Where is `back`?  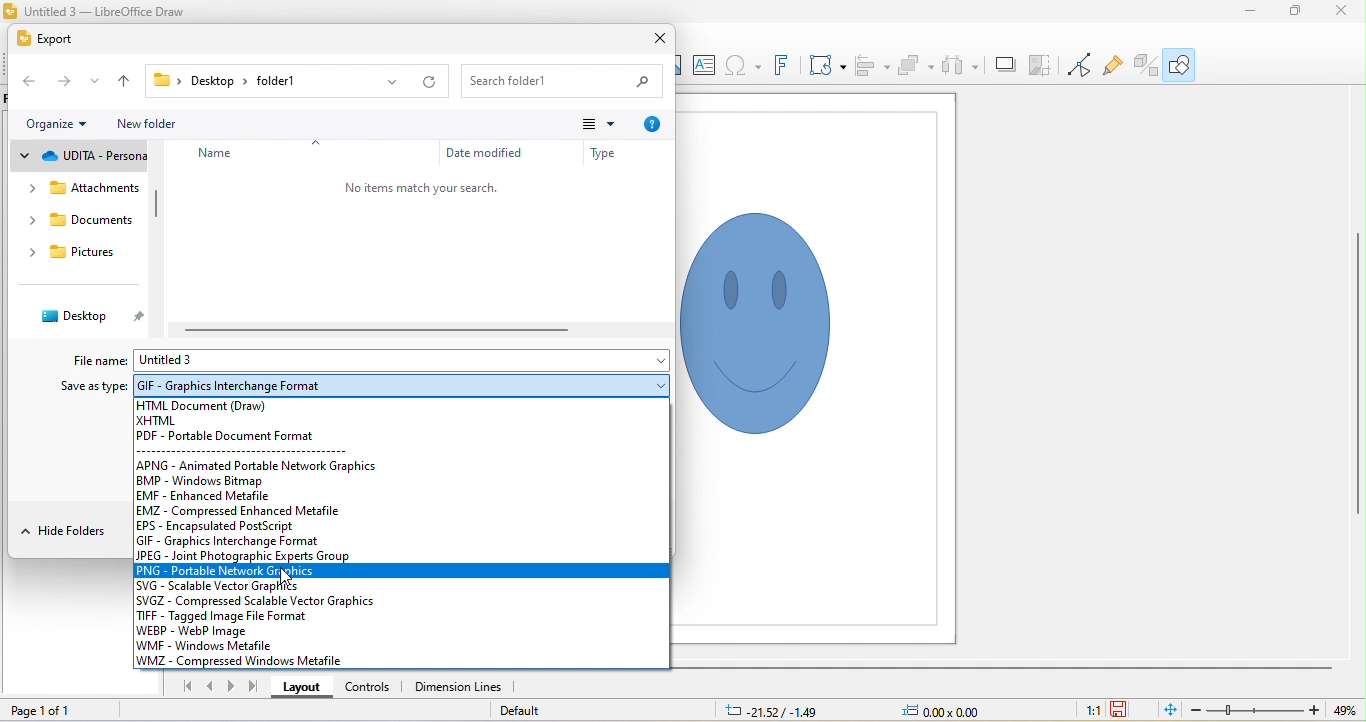 back is located at coordinates (26, 81).